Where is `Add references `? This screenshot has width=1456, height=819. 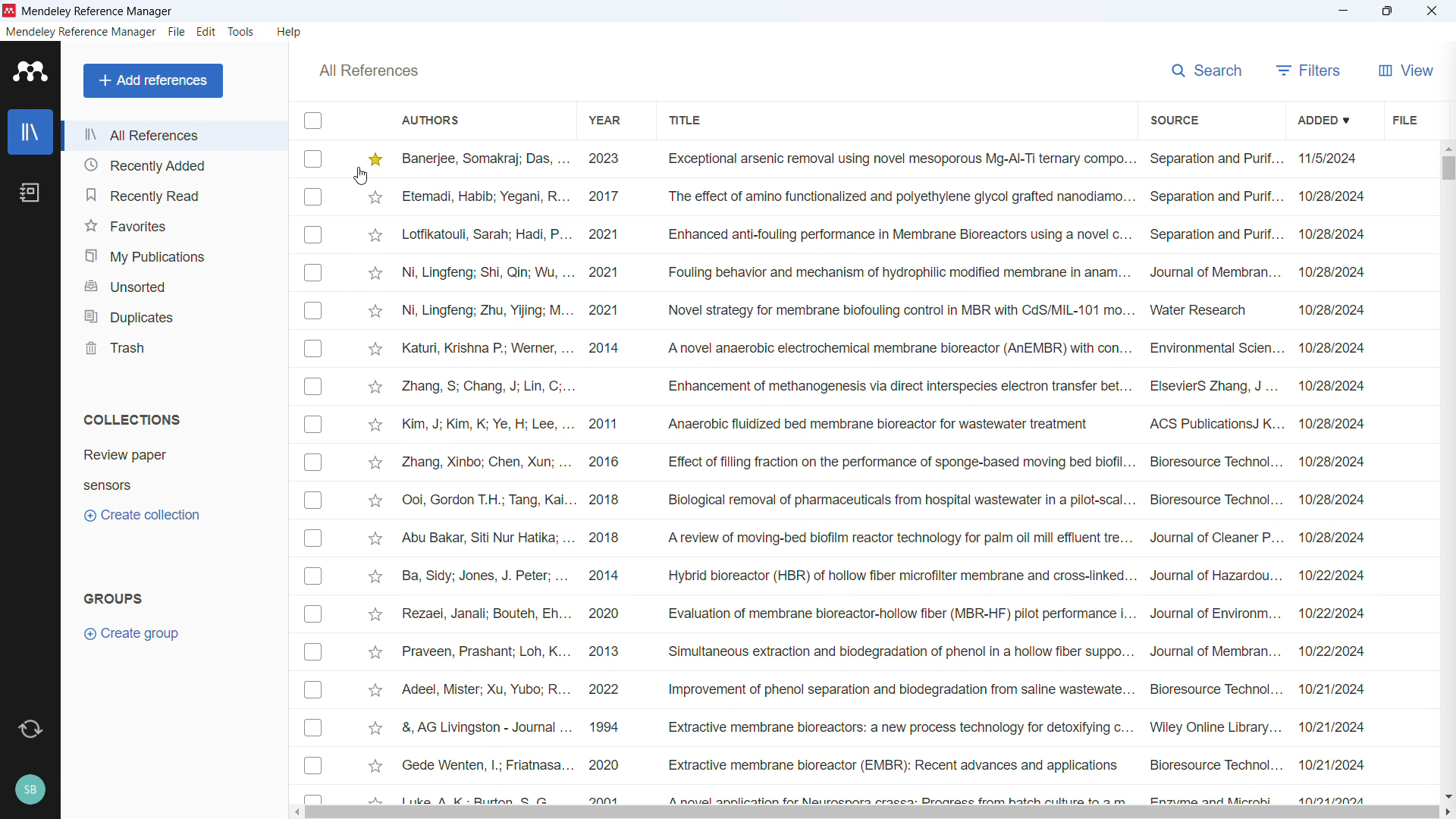
Add references  is located at coordinates (153, 81).